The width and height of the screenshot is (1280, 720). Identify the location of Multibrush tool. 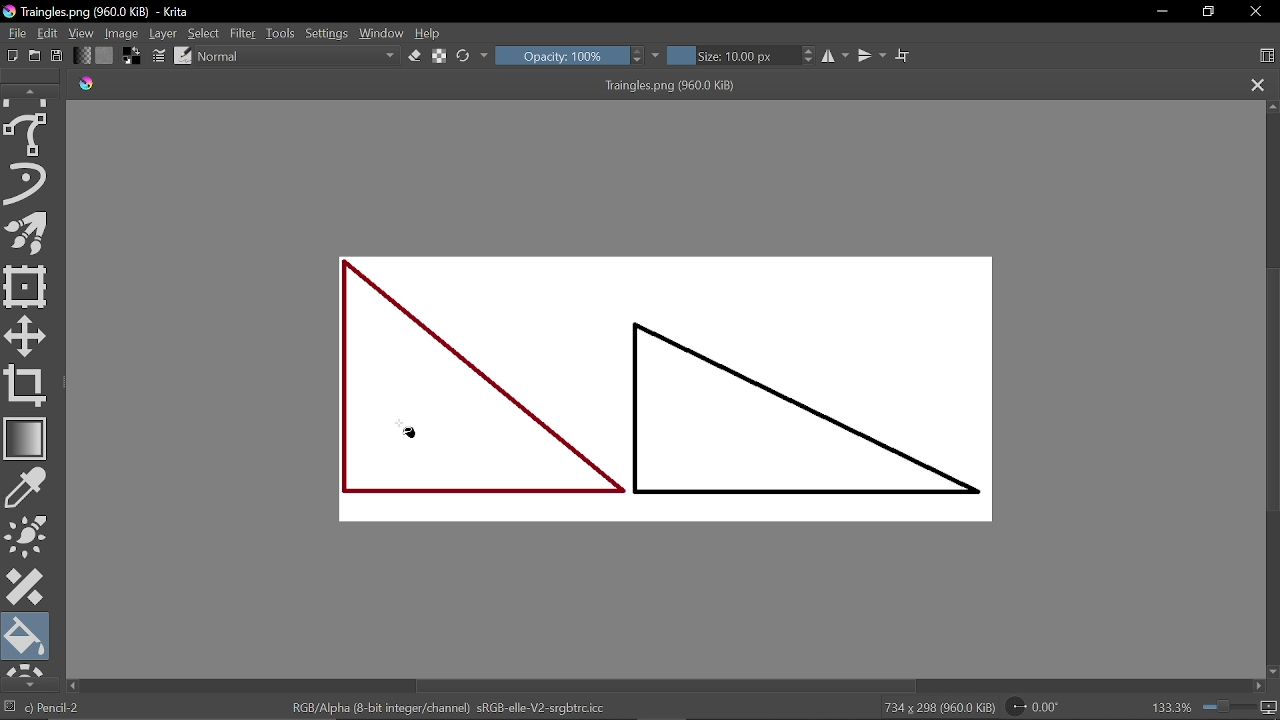
(29, 233).